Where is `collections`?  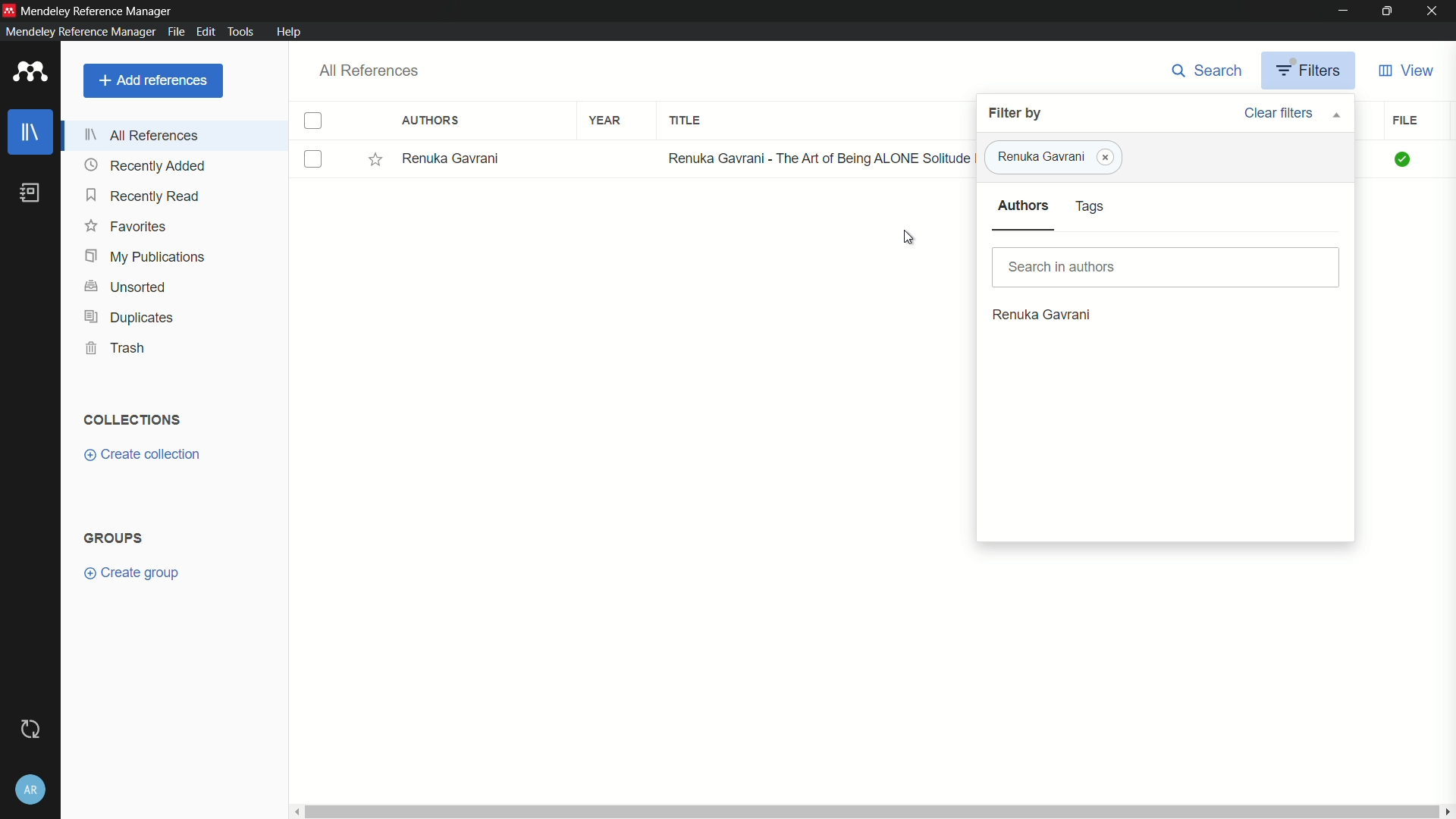 collections is located at coordinates (133, 419).